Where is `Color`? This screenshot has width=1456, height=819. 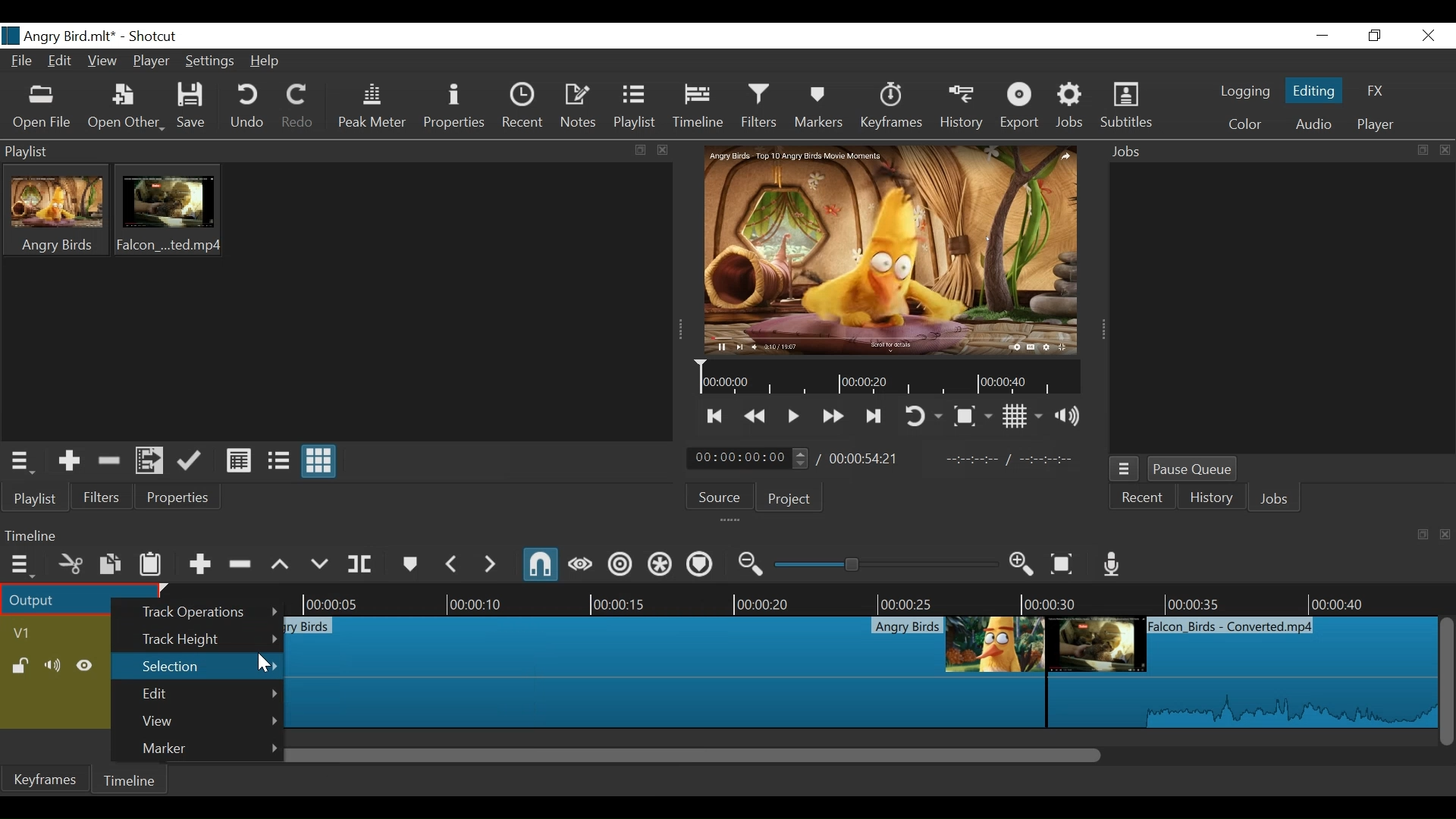
Color is located at coordinates (1246, 126).